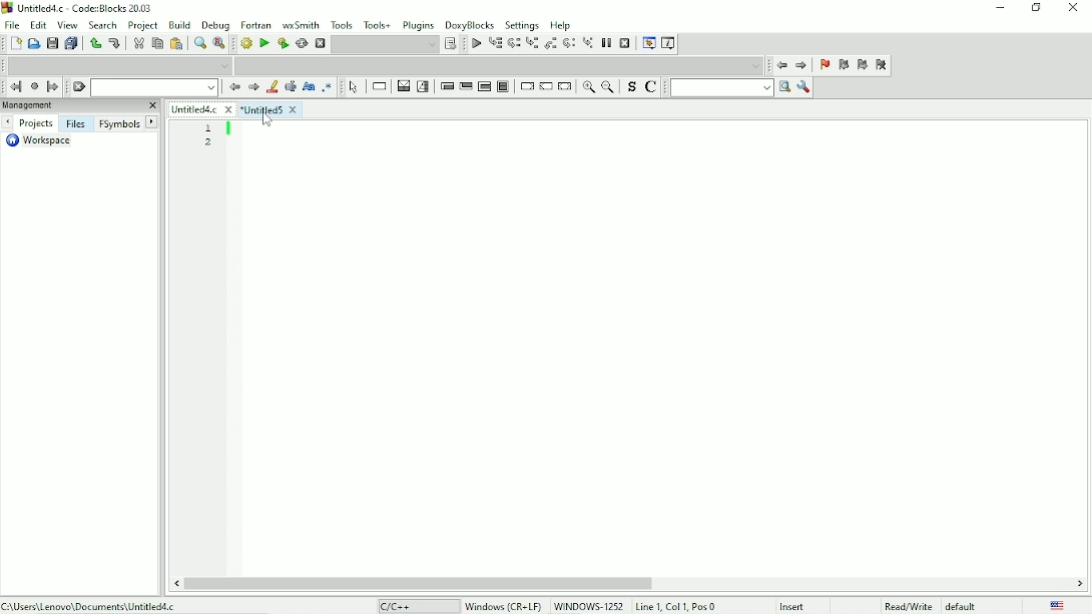  What do you see at coordinates (610, 87) in the screenshot?
I see `Zoom out` at bounding box center [610, 87].